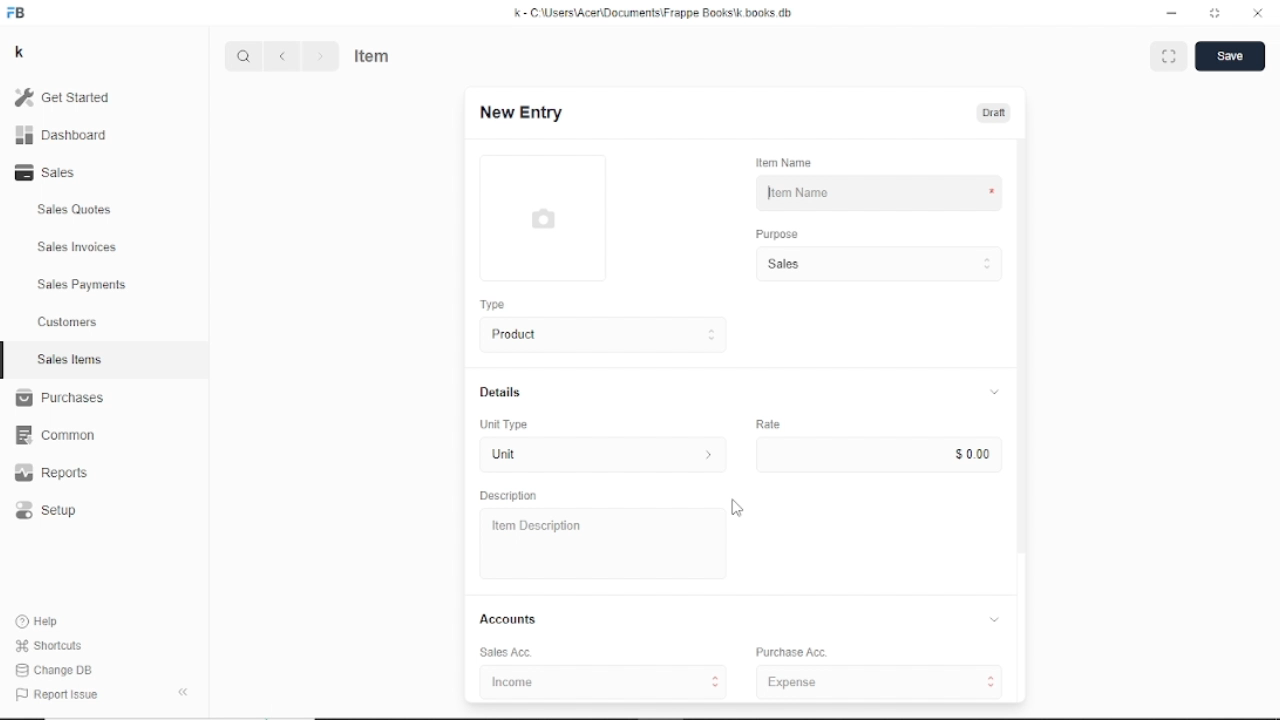 This screenshot has height=720, width=1280. What do you see at coordinates (532, 526) in the screenshot?
I see `Item Description` at bounding box center [532, 526].